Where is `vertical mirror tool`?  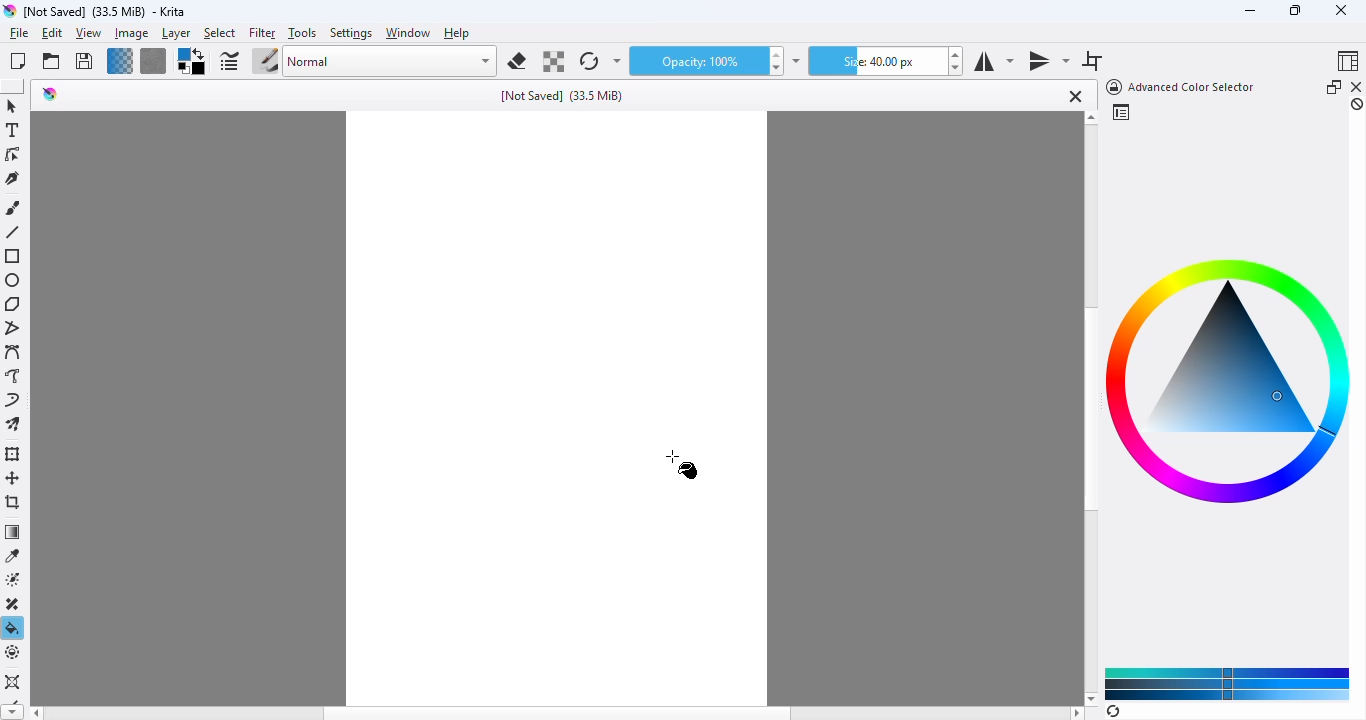
vertical mirror tool is located at coordinates (1048, 62).